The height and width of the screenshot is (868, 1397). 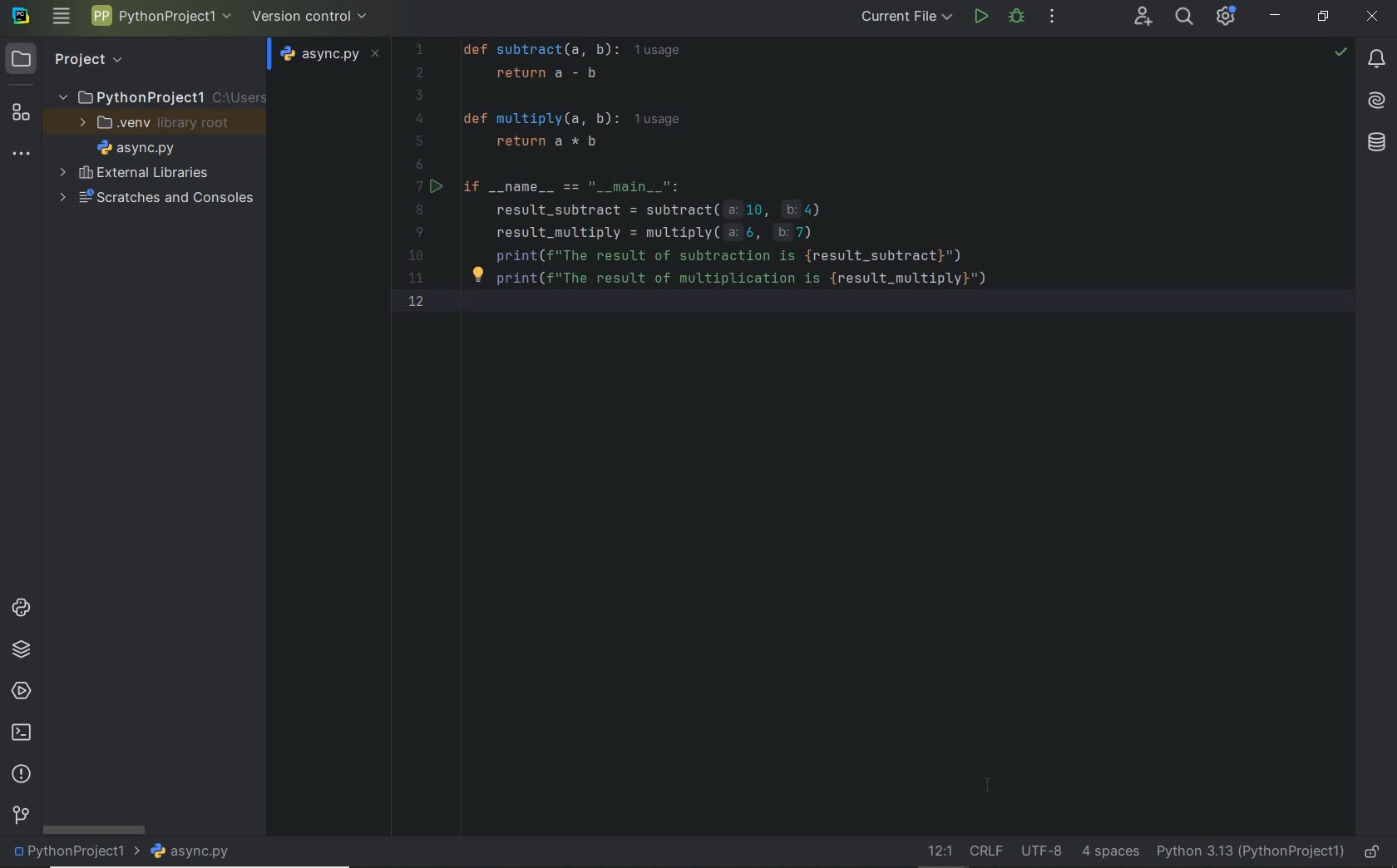 What do you see at coordinates (161, 96) in the screenshot?
I see `Project name` at bounding box center [161, 96].